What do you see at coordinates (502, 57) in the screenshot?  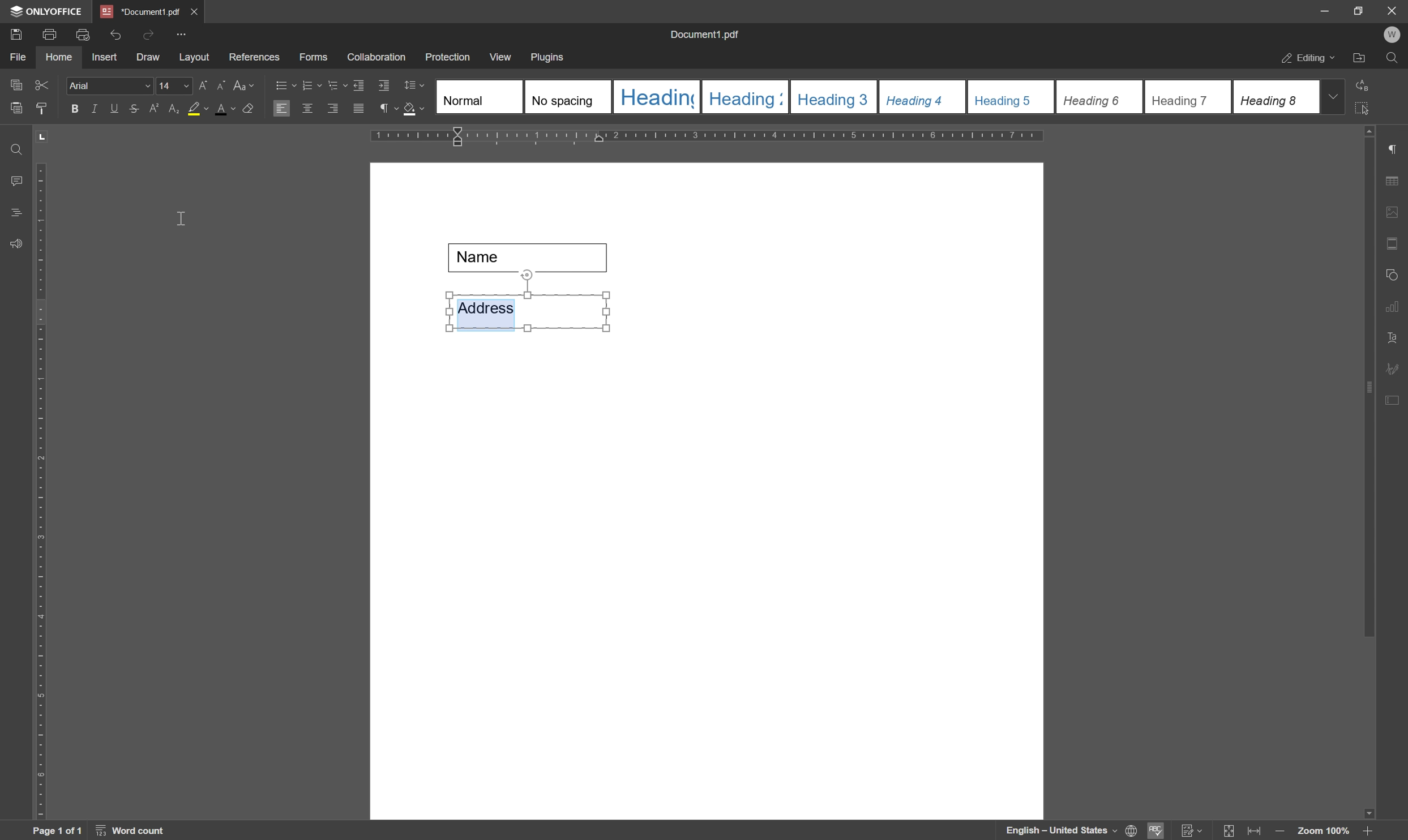 I see `view` at bounding box center [502, 57].